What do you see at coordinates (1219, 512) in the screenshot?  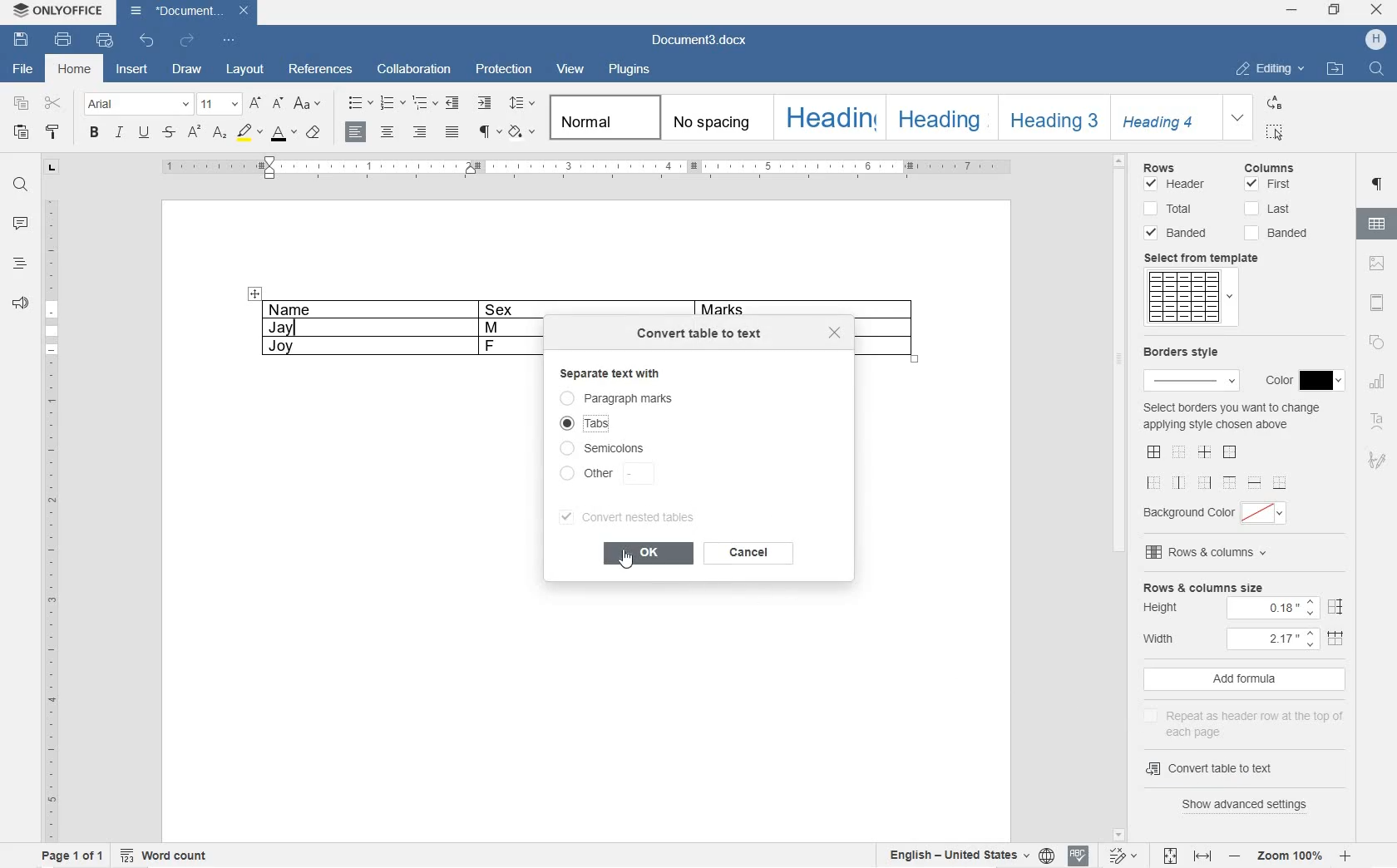 I see `background color` at bounding box center [1219, 512].